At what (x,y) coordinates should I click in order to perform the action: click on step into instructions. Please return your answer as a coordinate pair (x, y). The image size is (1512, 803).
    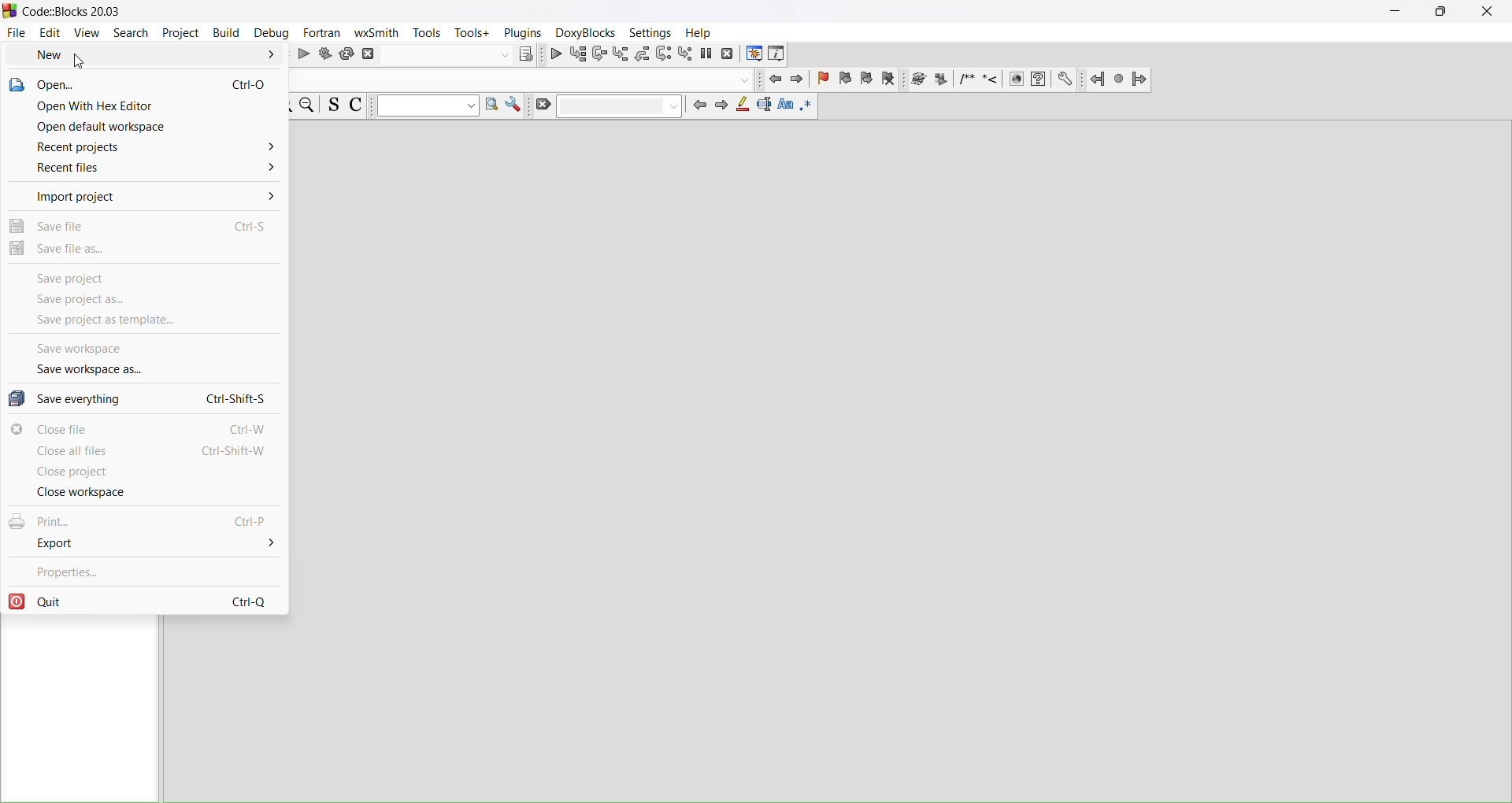
    Looking at the image, I should click on (685, 54).